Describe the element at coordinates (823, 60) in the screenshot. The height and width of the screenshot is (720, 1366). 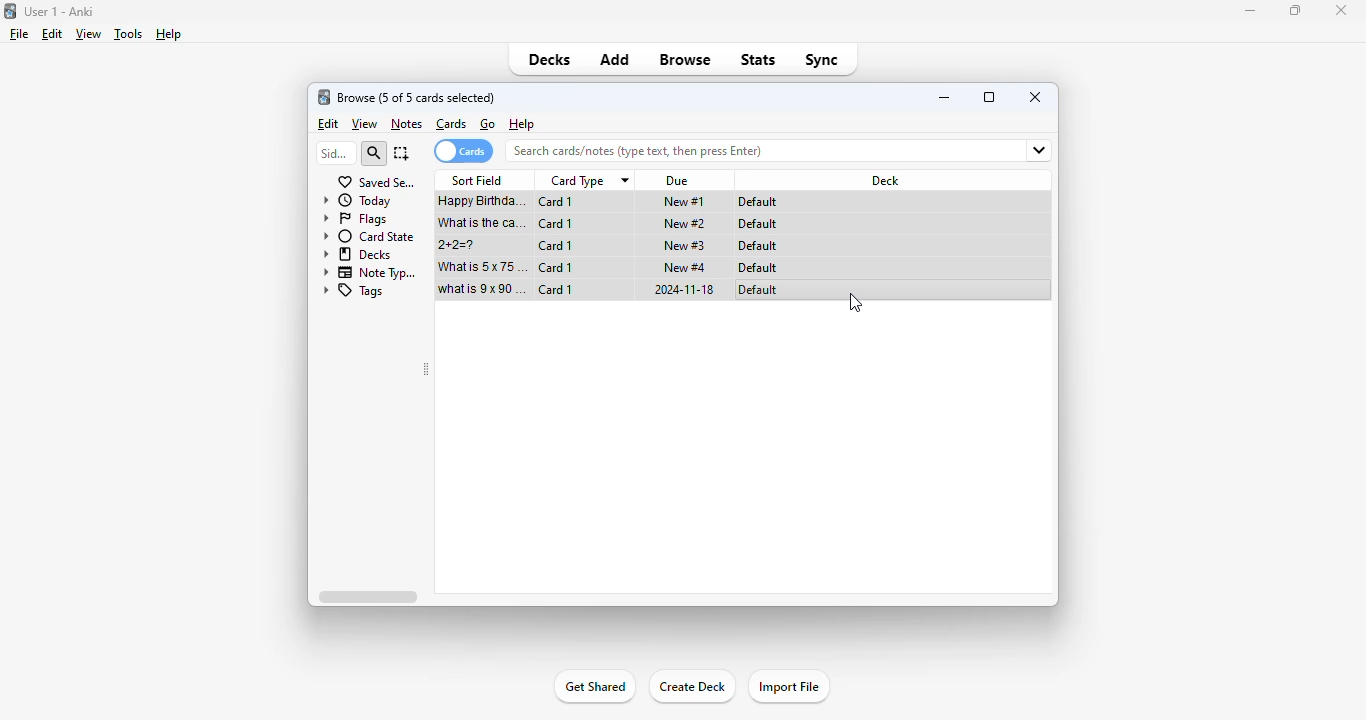
I see `sync` at that location.